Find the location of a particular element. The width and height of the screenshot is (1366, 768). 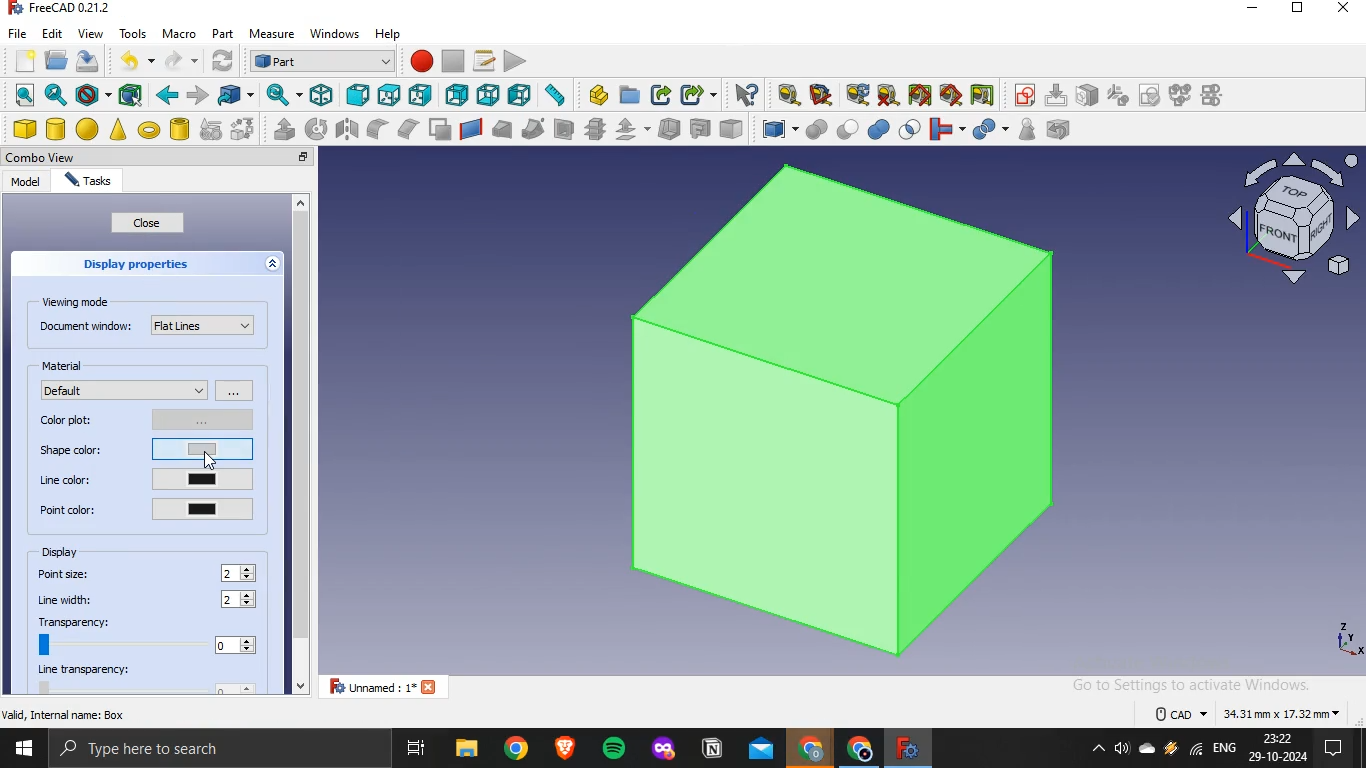

measure linear is located at coordinates (789, 96).